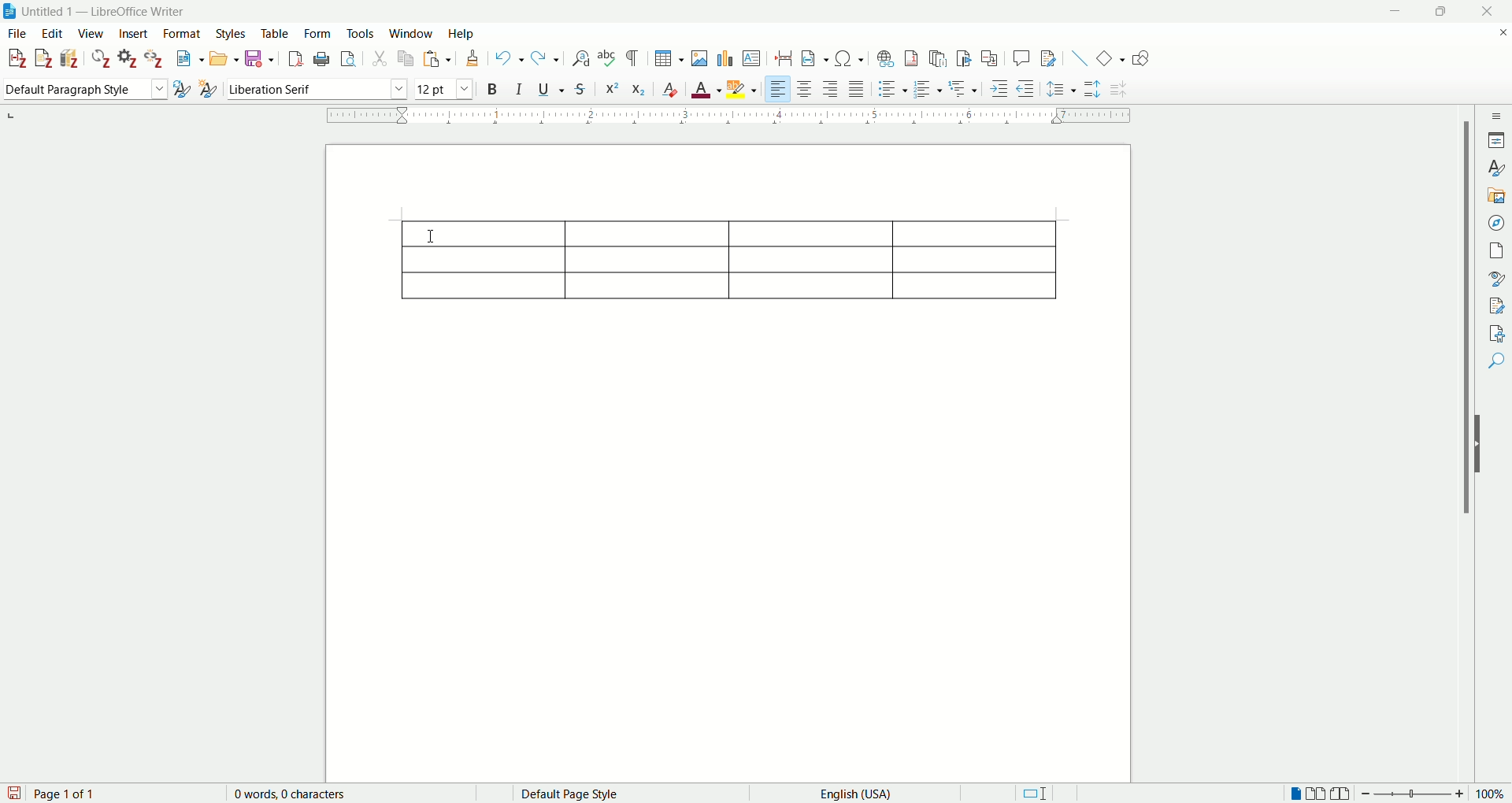  What do you see at coordinates (221, 60) in the screenshot?
I see `open` at bounding box center [221, 60].